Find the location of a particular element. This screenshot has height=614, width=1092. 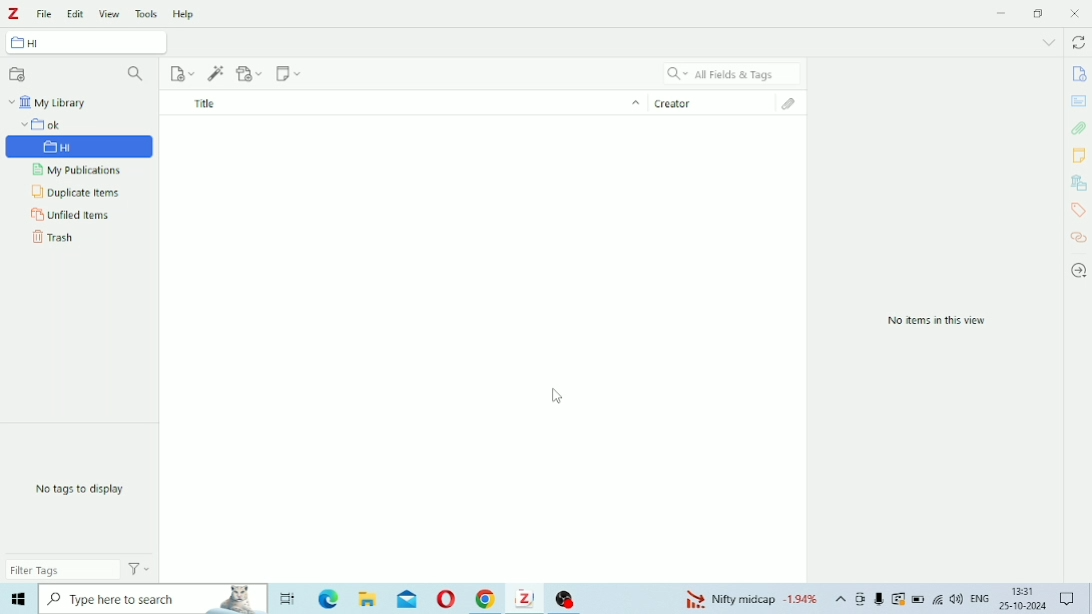

Windows is located at coordinates (18, 599).